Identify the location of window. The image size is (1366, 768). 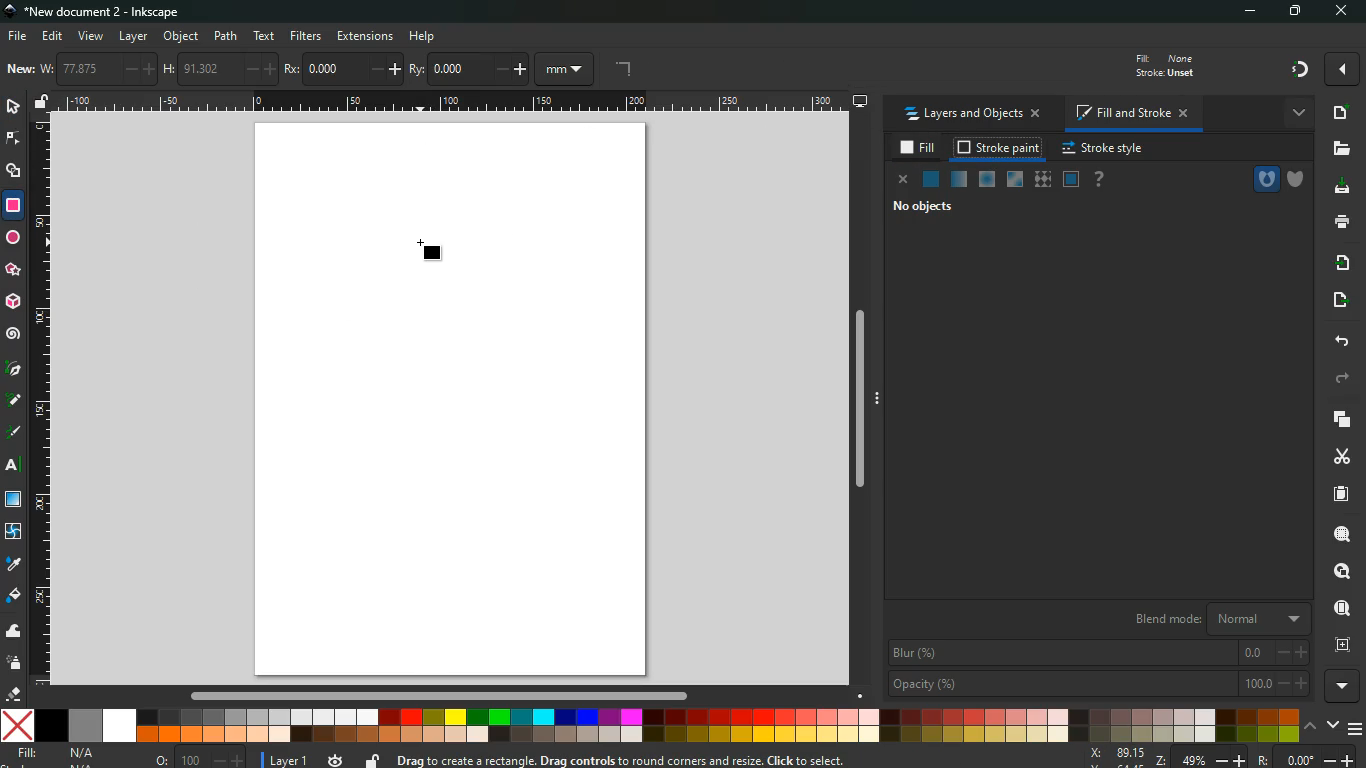
(1071, 180).